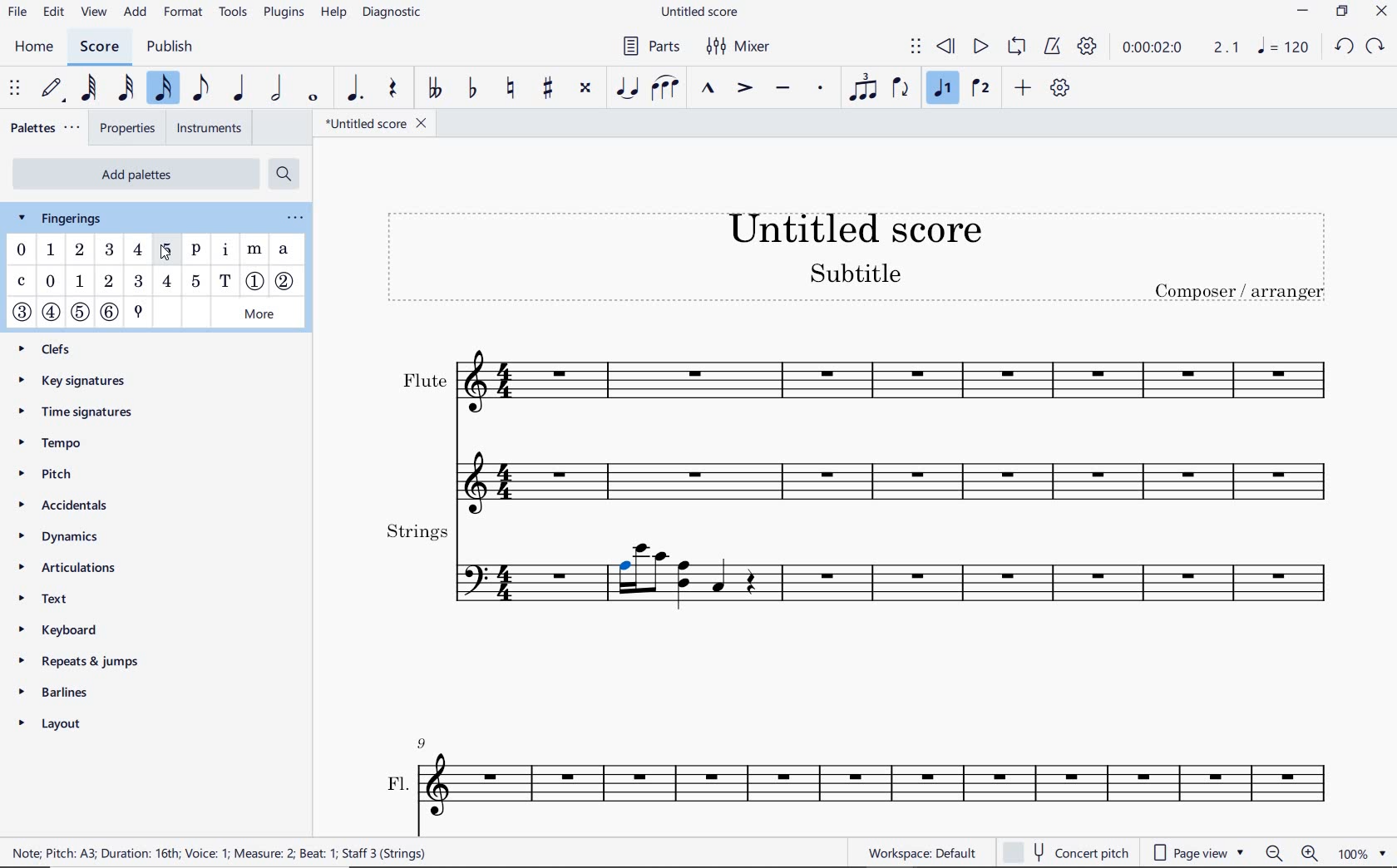 The image size is (1397, 868). Describe the element at coordinates (128, 128) in the screenshot. I see `properties` at that location.